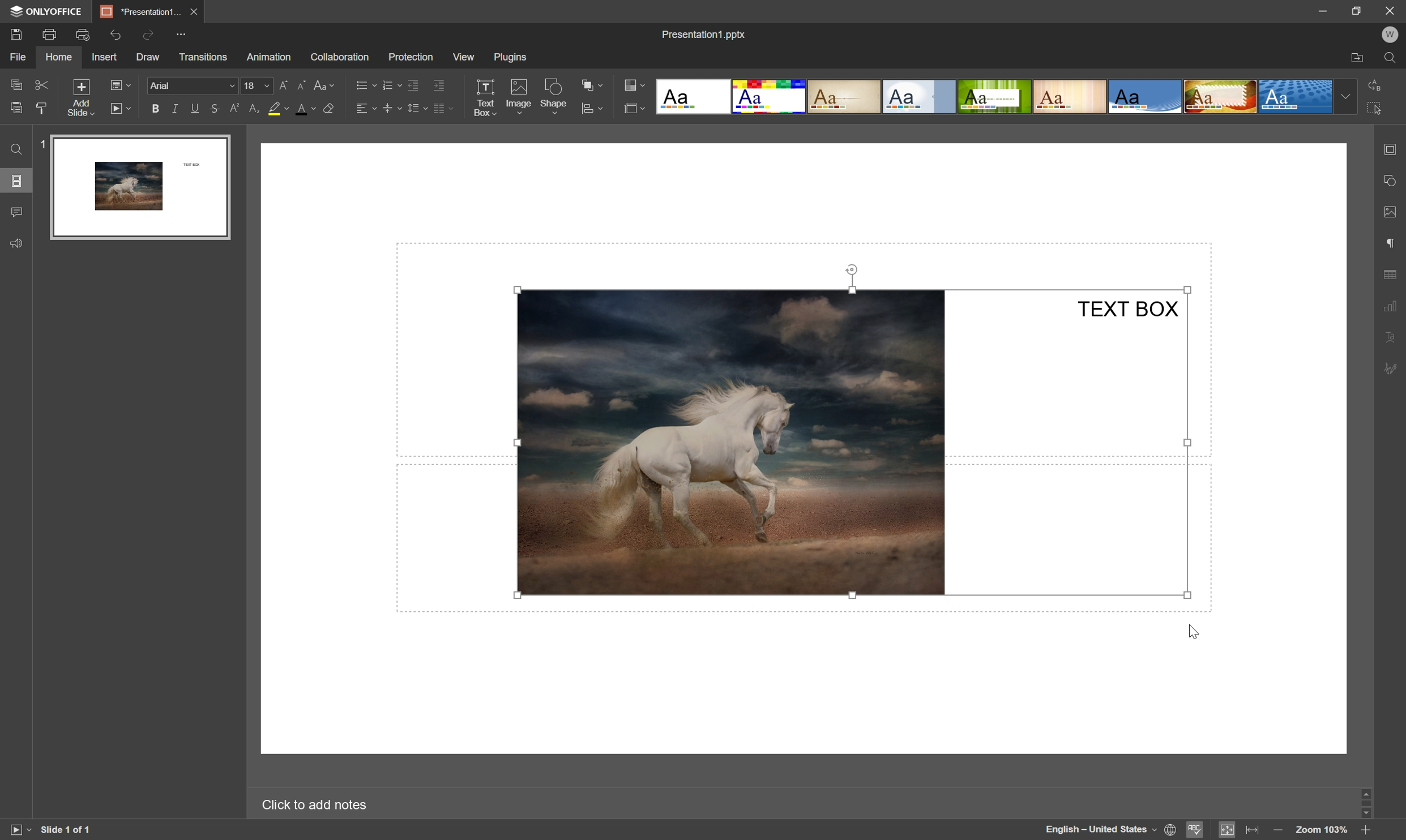 The height and width of the screenshot is (840, 1406). I want to click on Classic, so click(845, 98).